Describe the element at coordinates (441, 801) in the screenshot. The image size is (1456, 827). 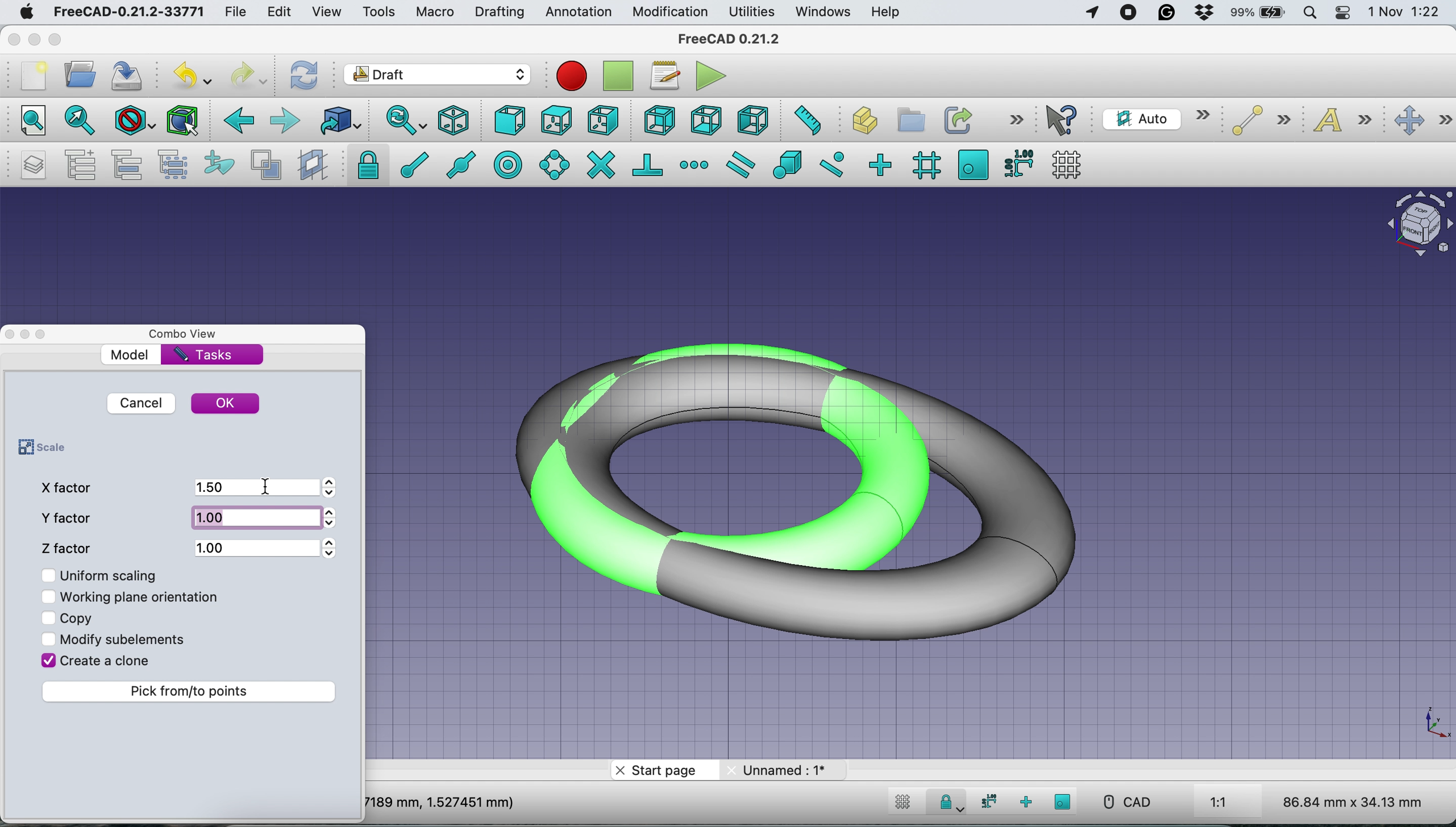
I see `7189 mm, 1.527451 mm)` at that location.